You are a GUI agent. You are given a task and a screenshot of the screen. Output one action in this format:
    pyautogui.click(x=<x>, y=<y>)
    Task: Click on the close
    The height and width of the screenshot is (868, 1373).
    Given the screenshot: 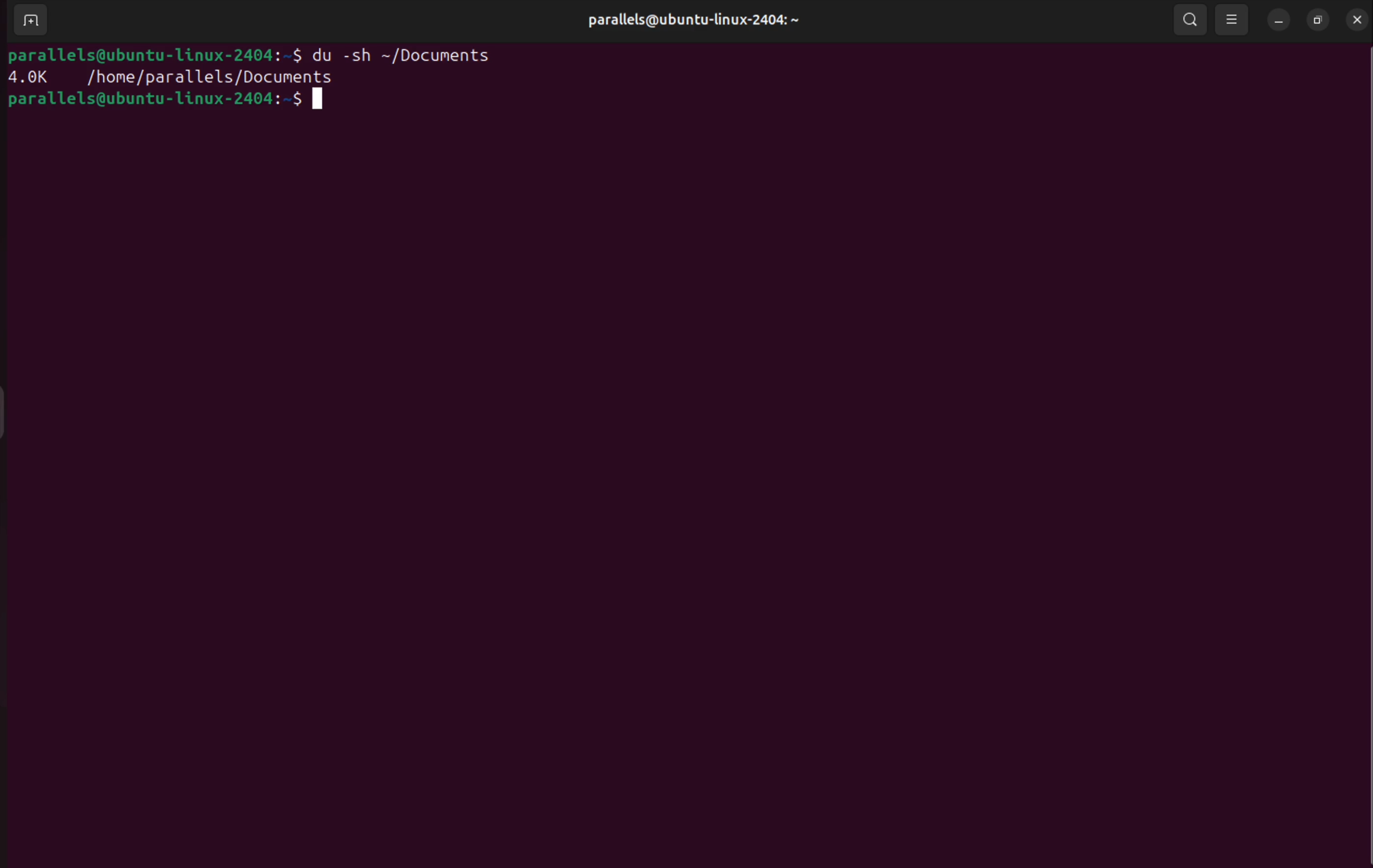 What is the action you would take?
    pyautogui.click(x=1358, y=19)
    